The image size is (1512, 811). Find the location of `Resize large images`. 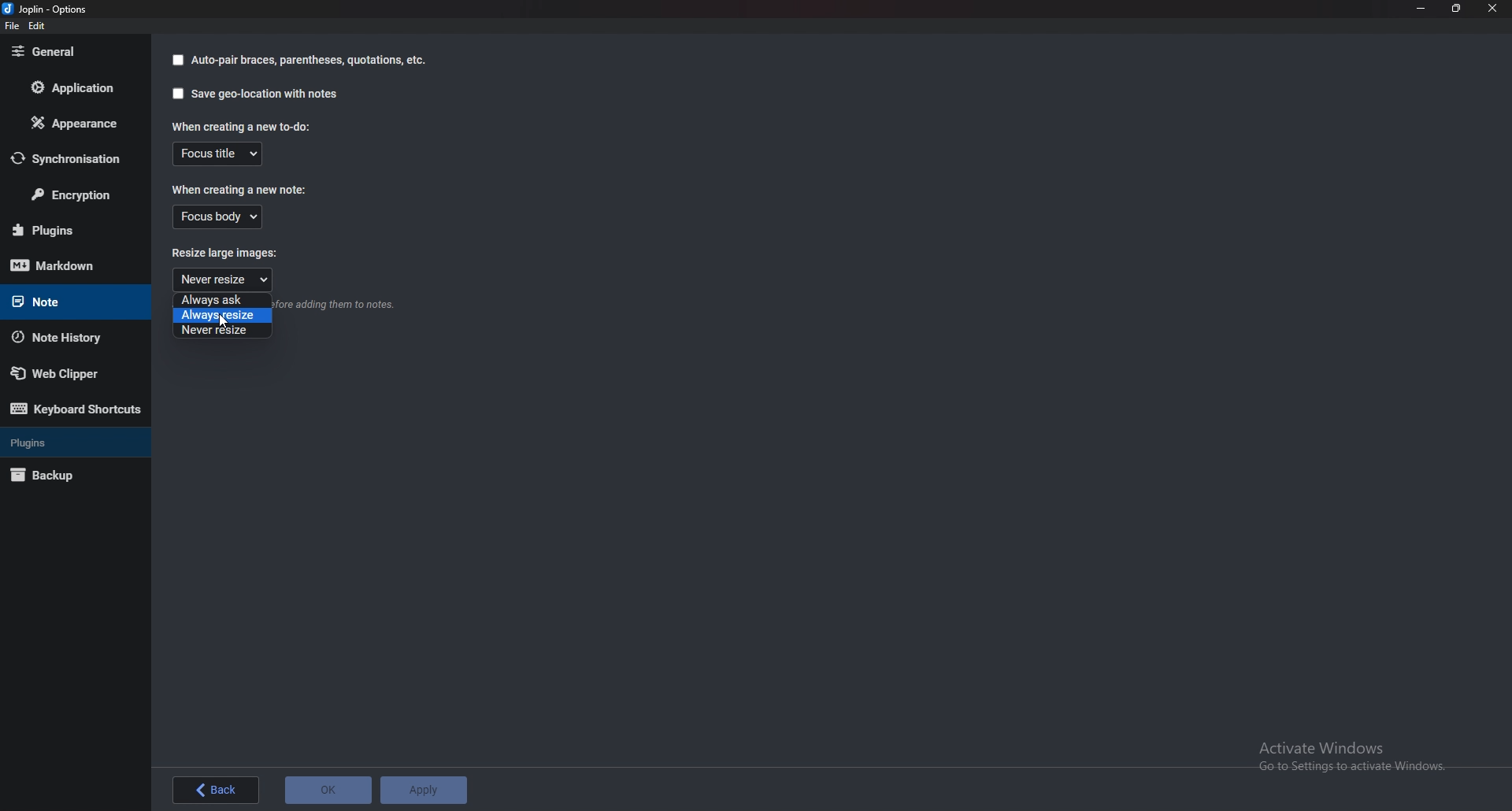

Resize large images is located at coordinates (236, 252).